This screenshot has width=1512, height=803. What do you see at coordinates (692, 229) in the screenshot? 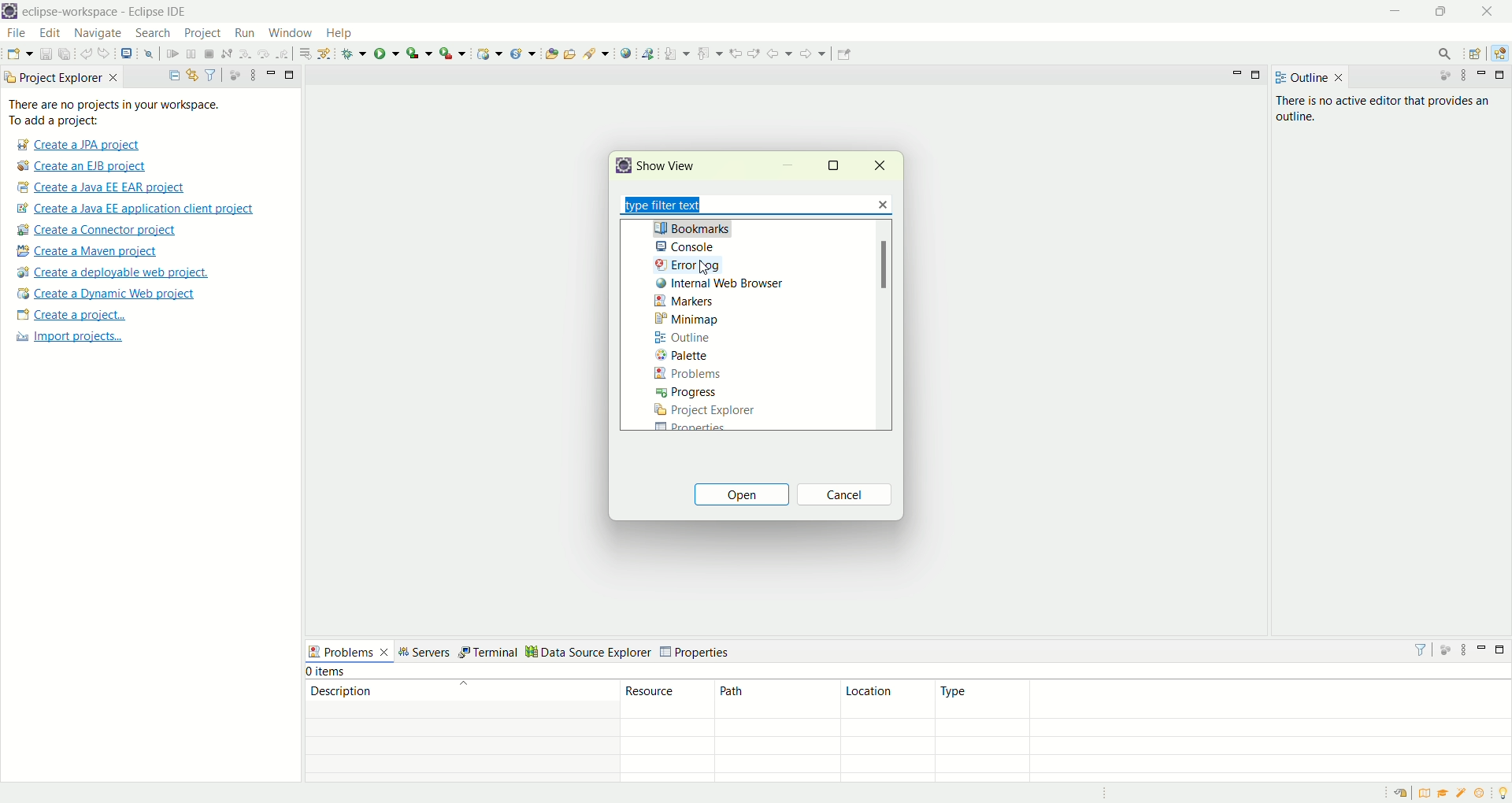
I see `bookmarks` at bounding box center [692, 229].